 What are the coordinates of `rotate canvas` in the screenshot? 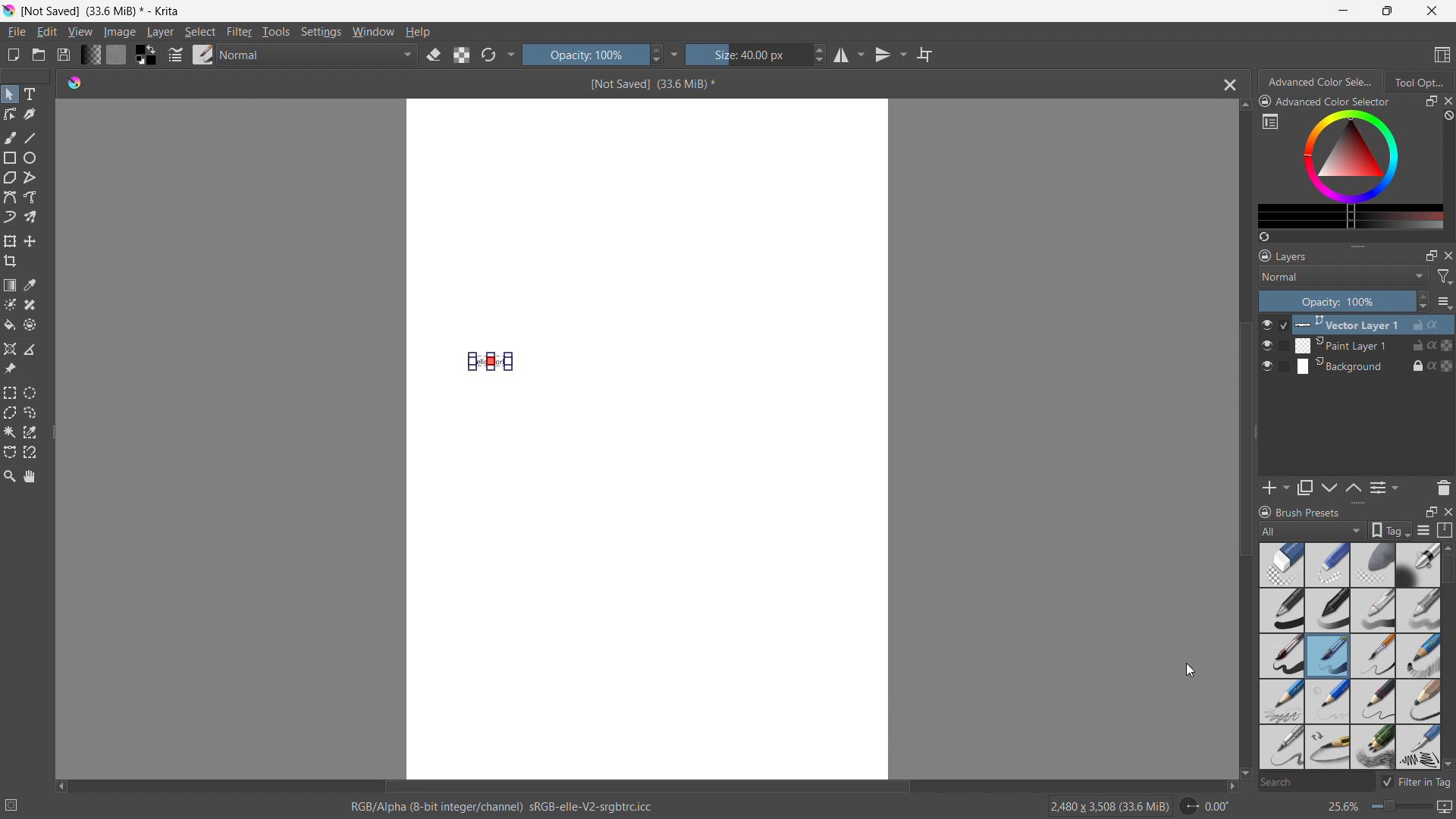 It's located at (1206, 806).